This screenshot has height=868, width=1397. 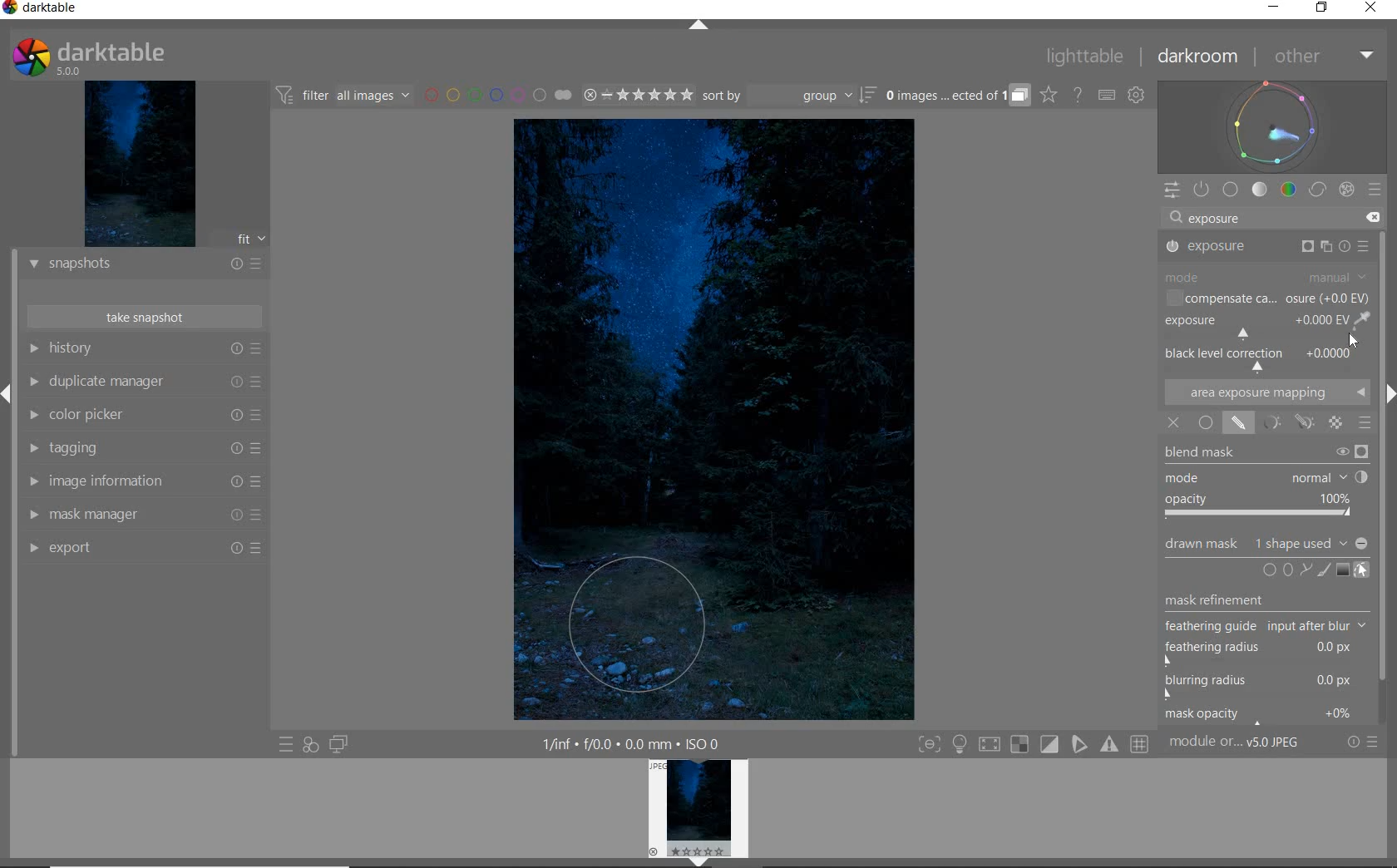 What do you see at coordinates (1373, 218) in the screenshot?
I see `DELETE` at bounding box center [1373, 218].